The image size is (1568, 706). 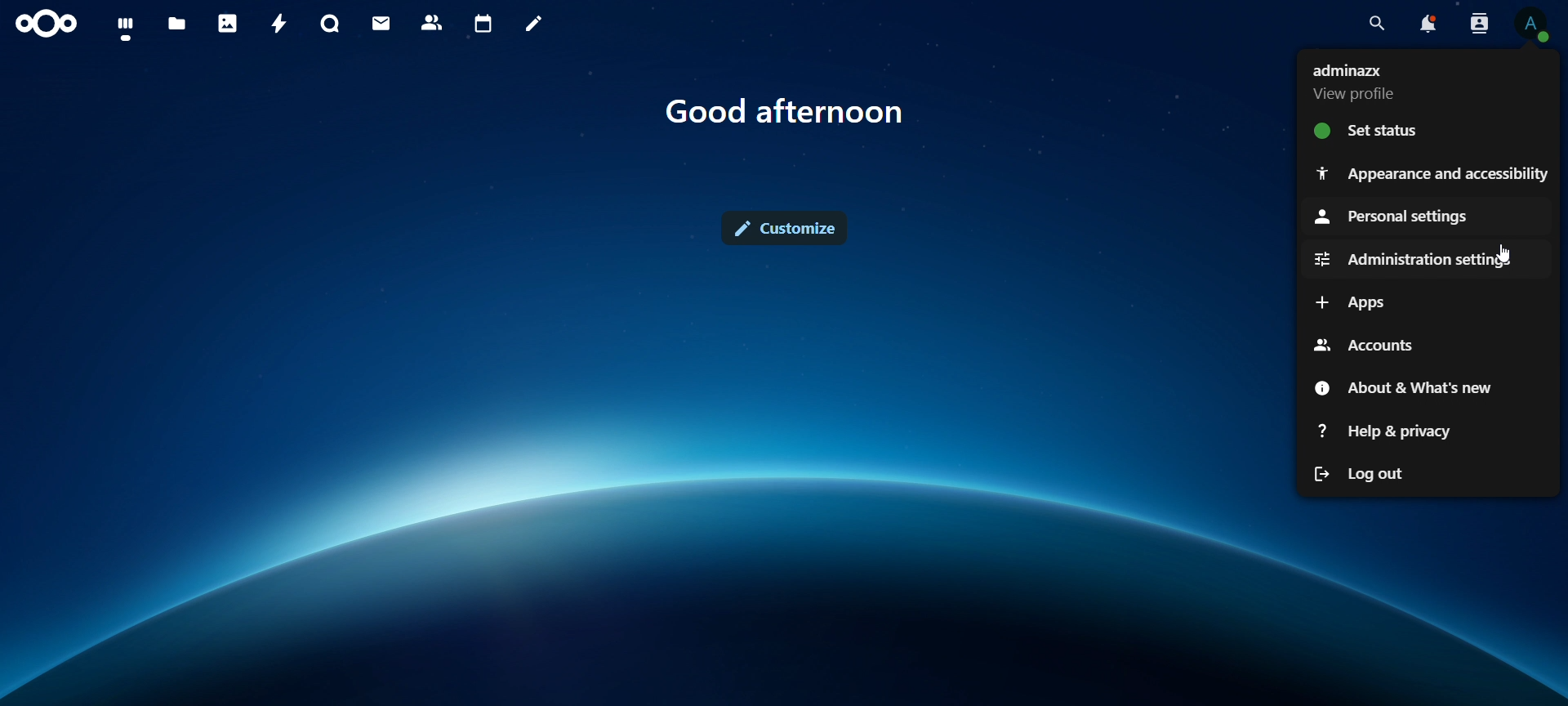 I want to click on text, so click(x=785, y=111).